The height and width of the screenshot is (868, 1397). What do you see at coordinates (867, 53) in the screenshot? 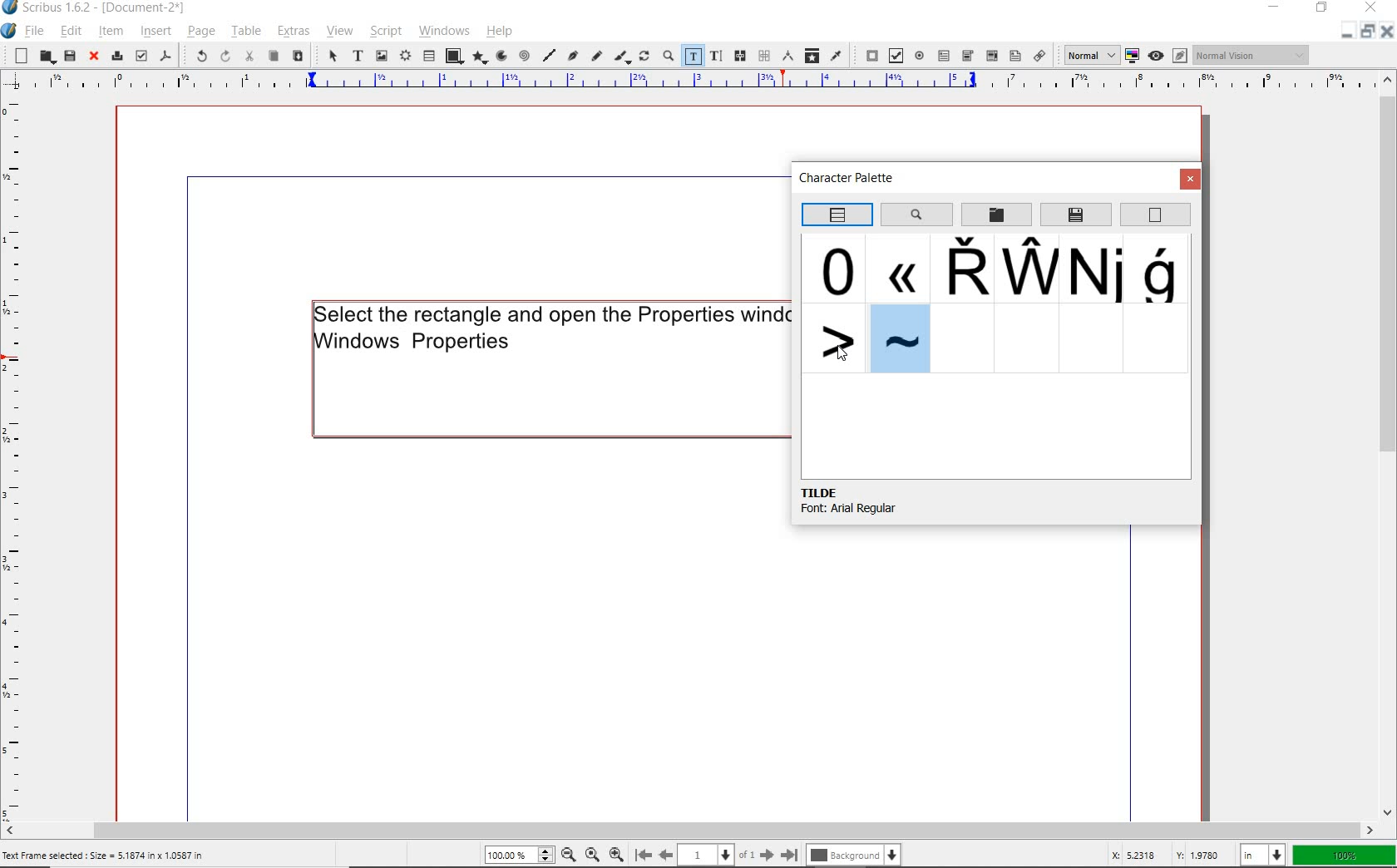
I see `pdf push button` at bounding box center [867, 53].